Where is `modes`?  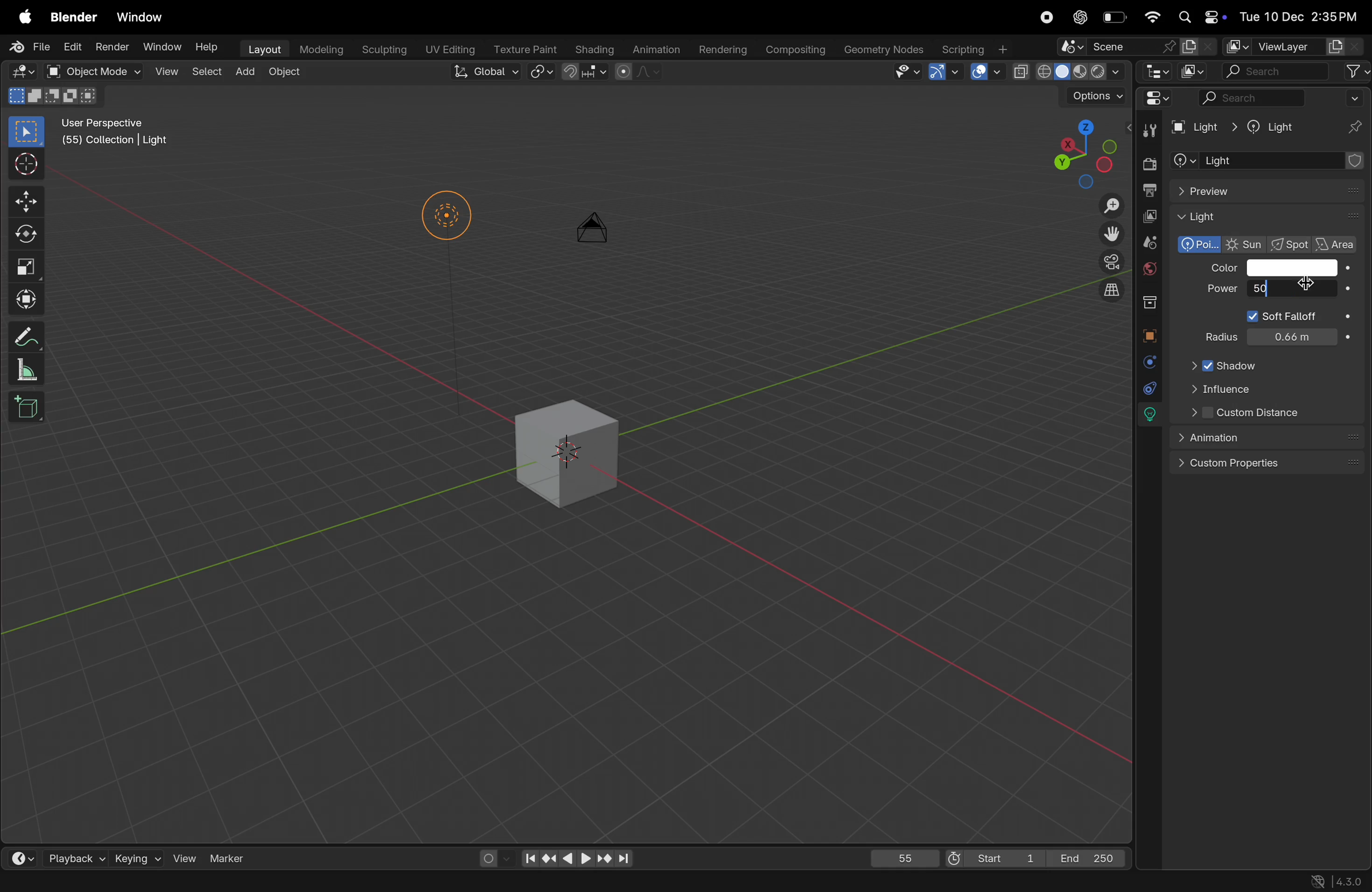 modes is located at coordinates (55, 97).